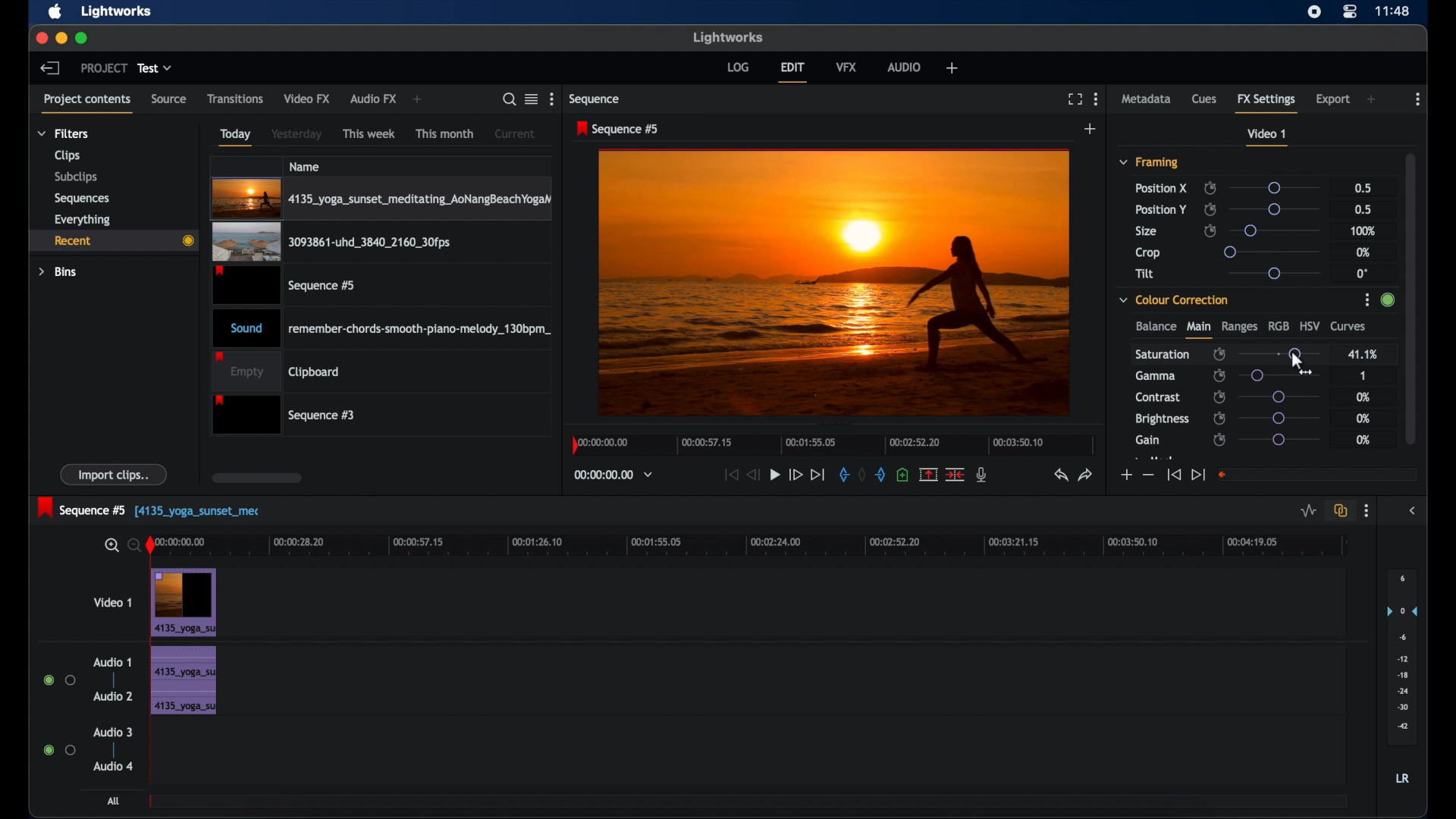 Image resolution: width=1456 pixels, height=819 pixels. I want to click on audio 4, so click(112, 765).